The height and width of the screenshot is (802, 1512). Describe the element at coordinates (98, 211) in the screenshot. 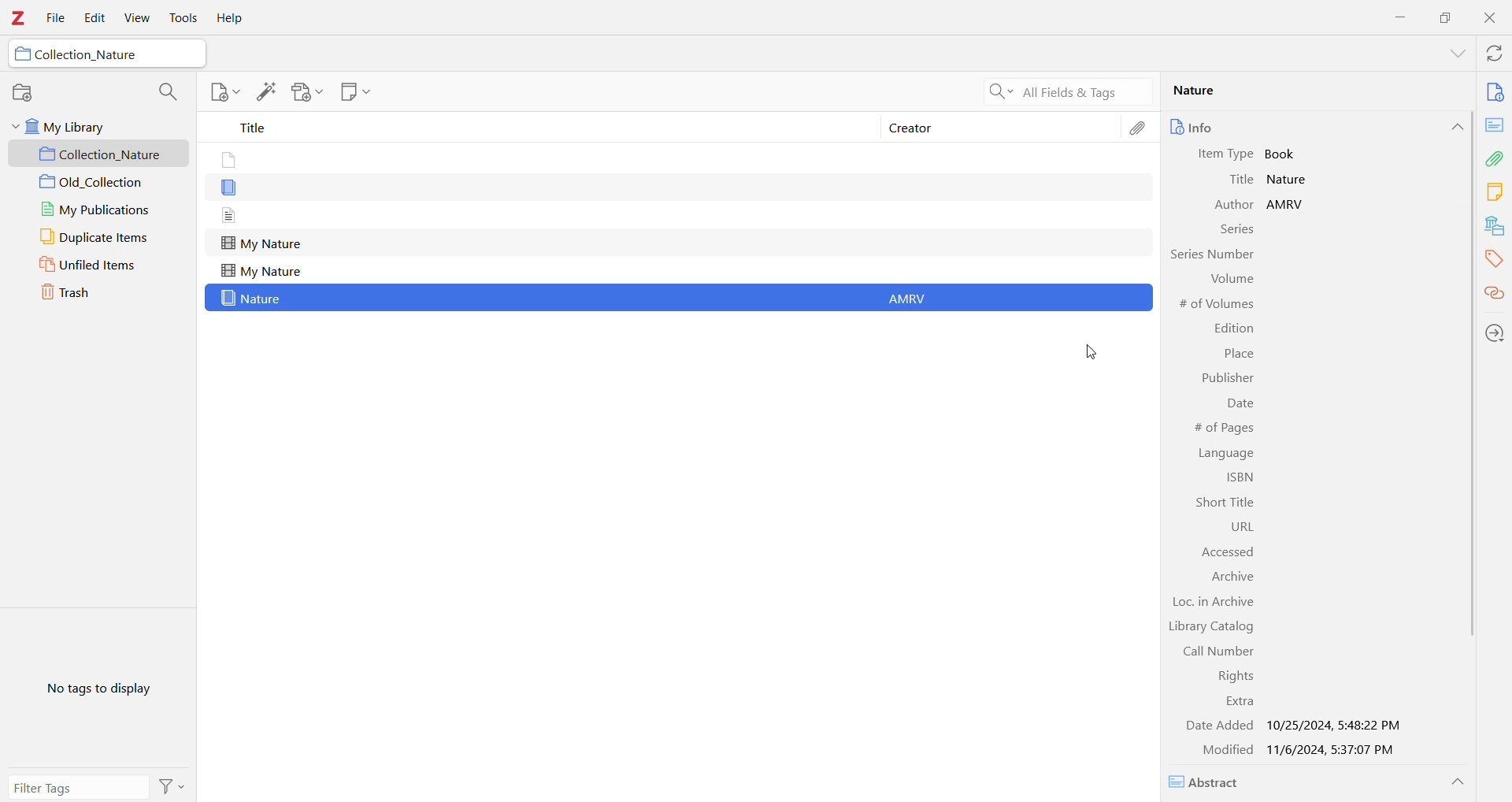

I see `My Publications` at that location.